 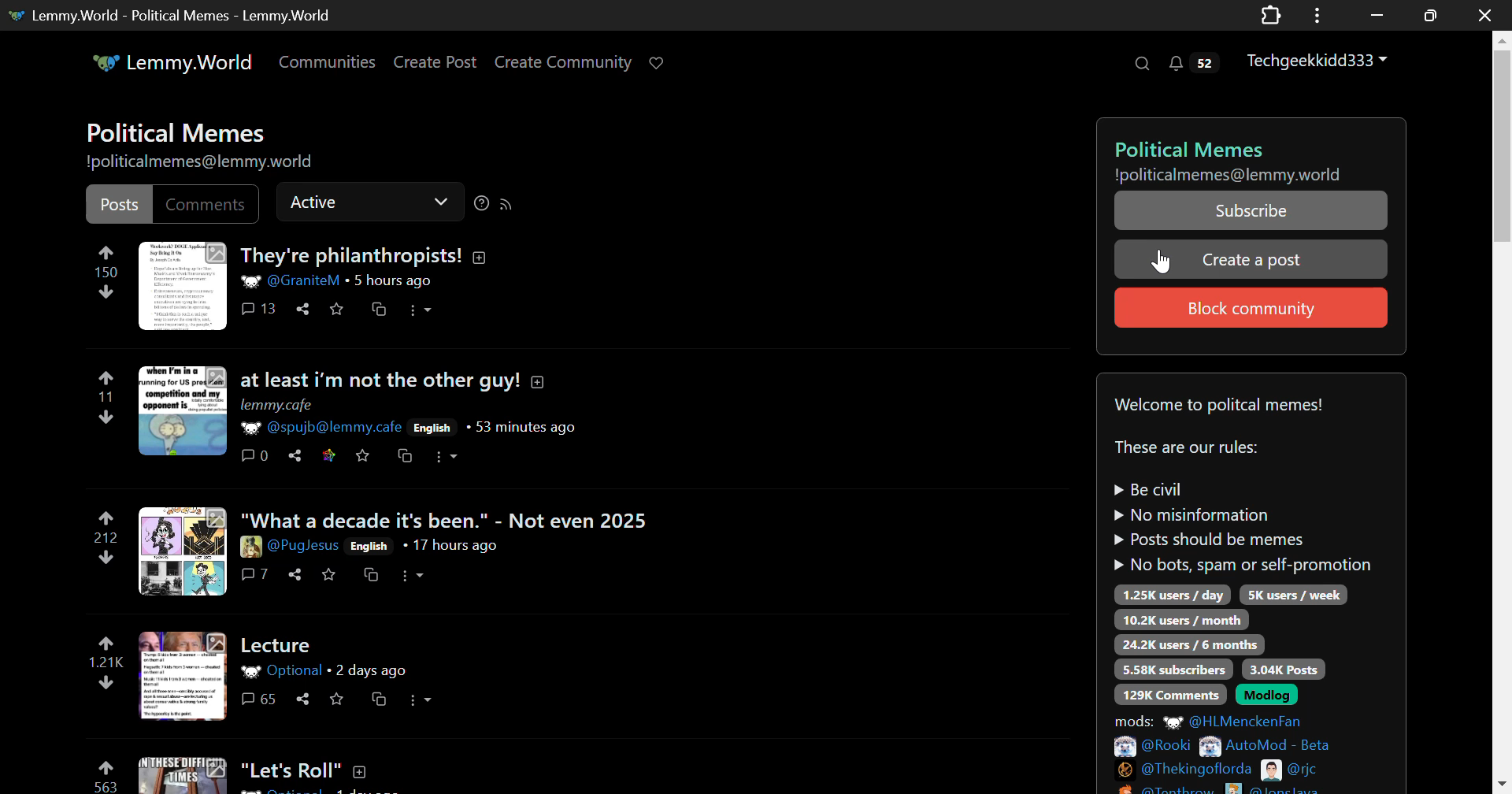 What do you see at coordinates (392, 281) in the screenshot?
I see `5 hours ago` at bounding box center [392, 281].